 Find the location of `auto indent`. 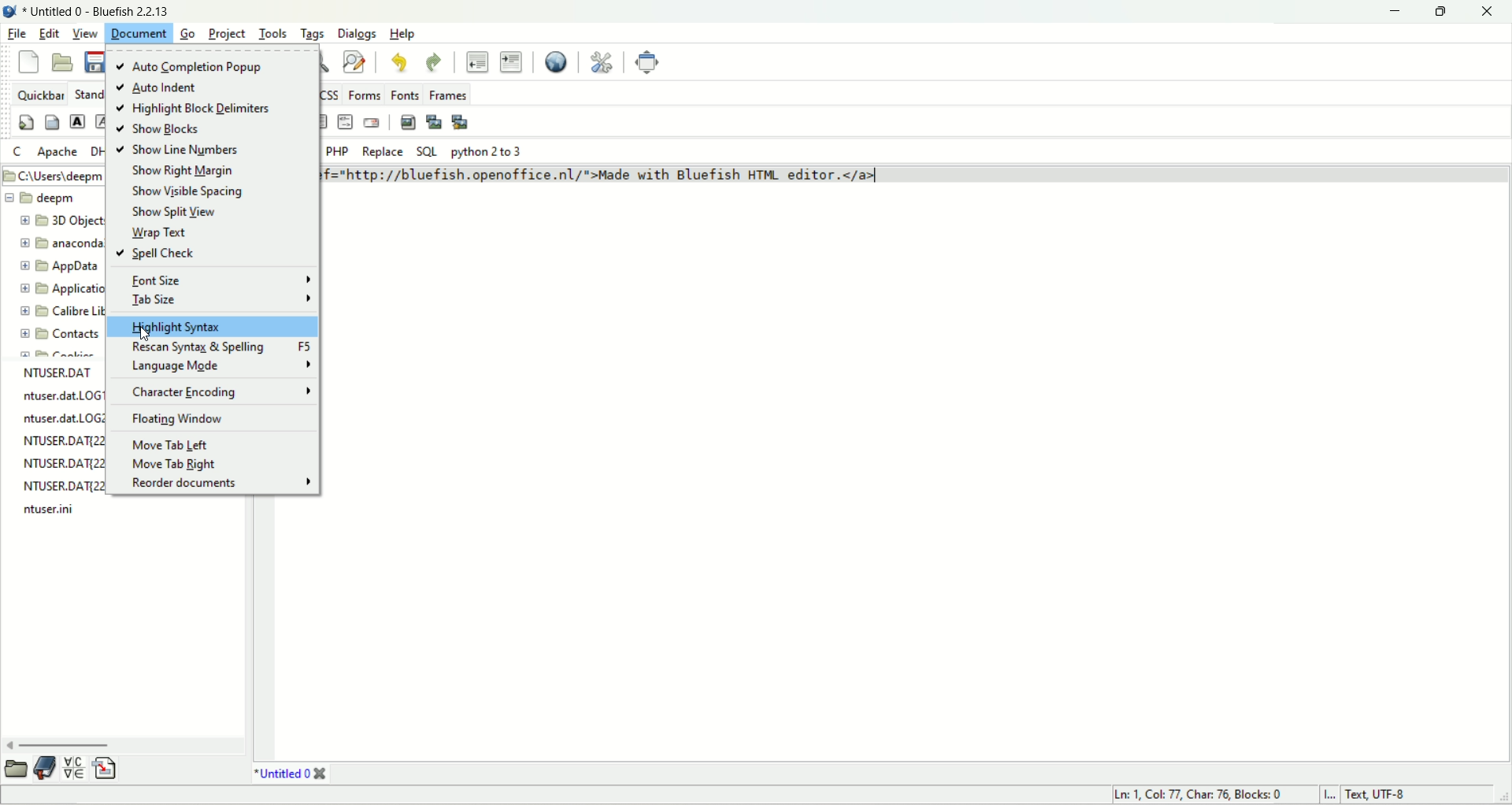

auto indent is located at coordinates (160, 87).